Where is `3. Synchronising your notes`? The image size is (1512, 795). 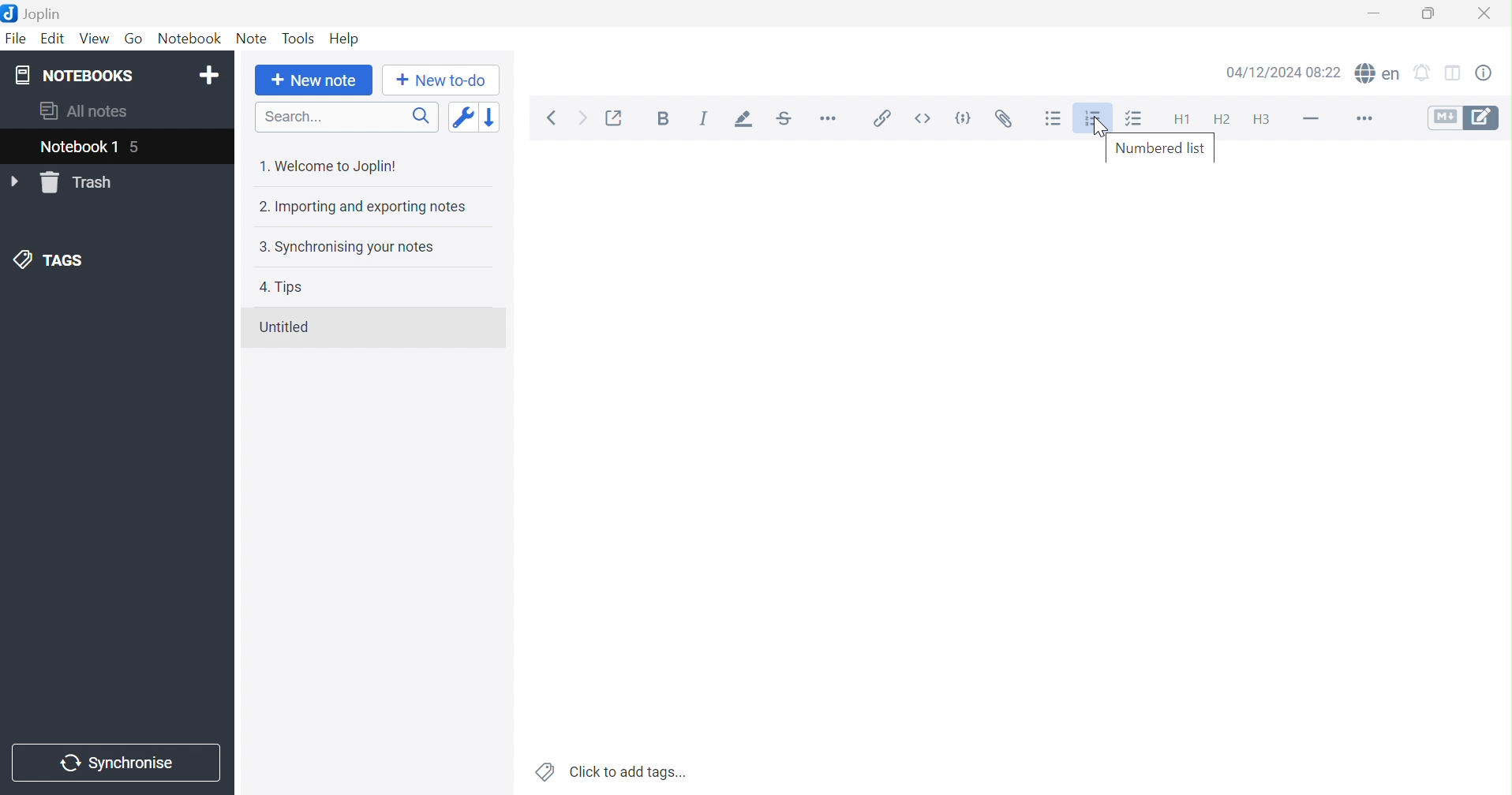
3. Synchronising your notes is located at coordinates (345, 248).